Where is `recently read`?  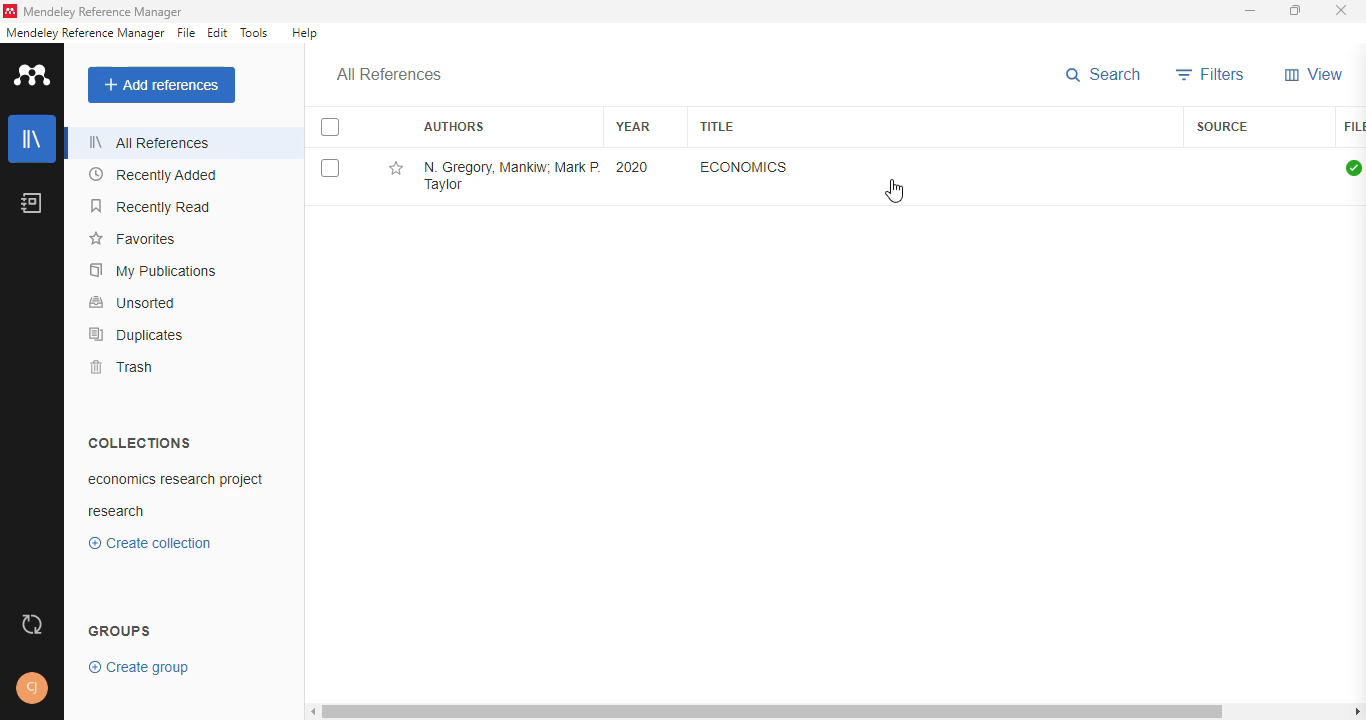 recently read is located at coordinates (149, 206).